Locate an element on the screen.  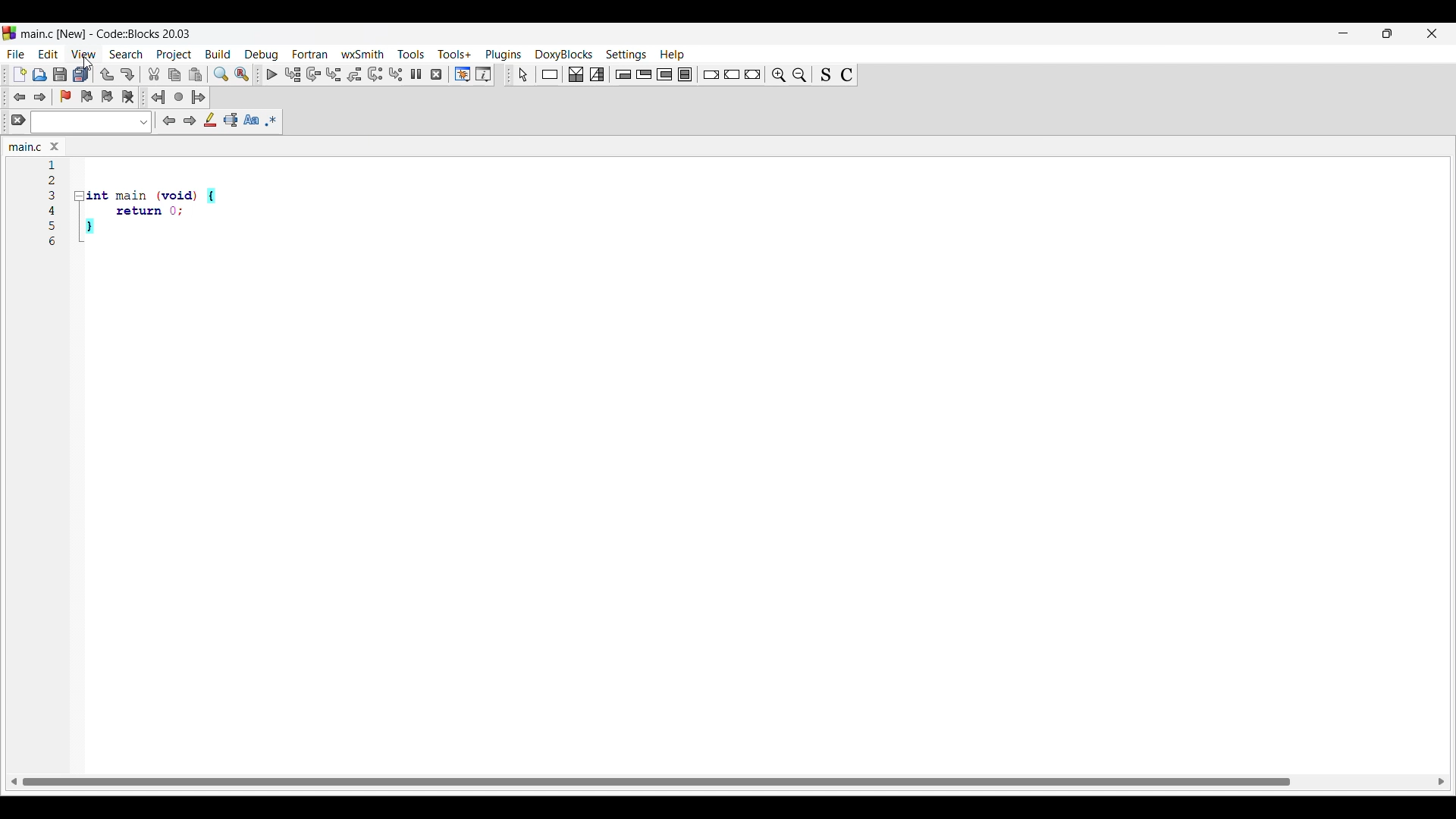
Zoom out is located at coordinates (800, 74).